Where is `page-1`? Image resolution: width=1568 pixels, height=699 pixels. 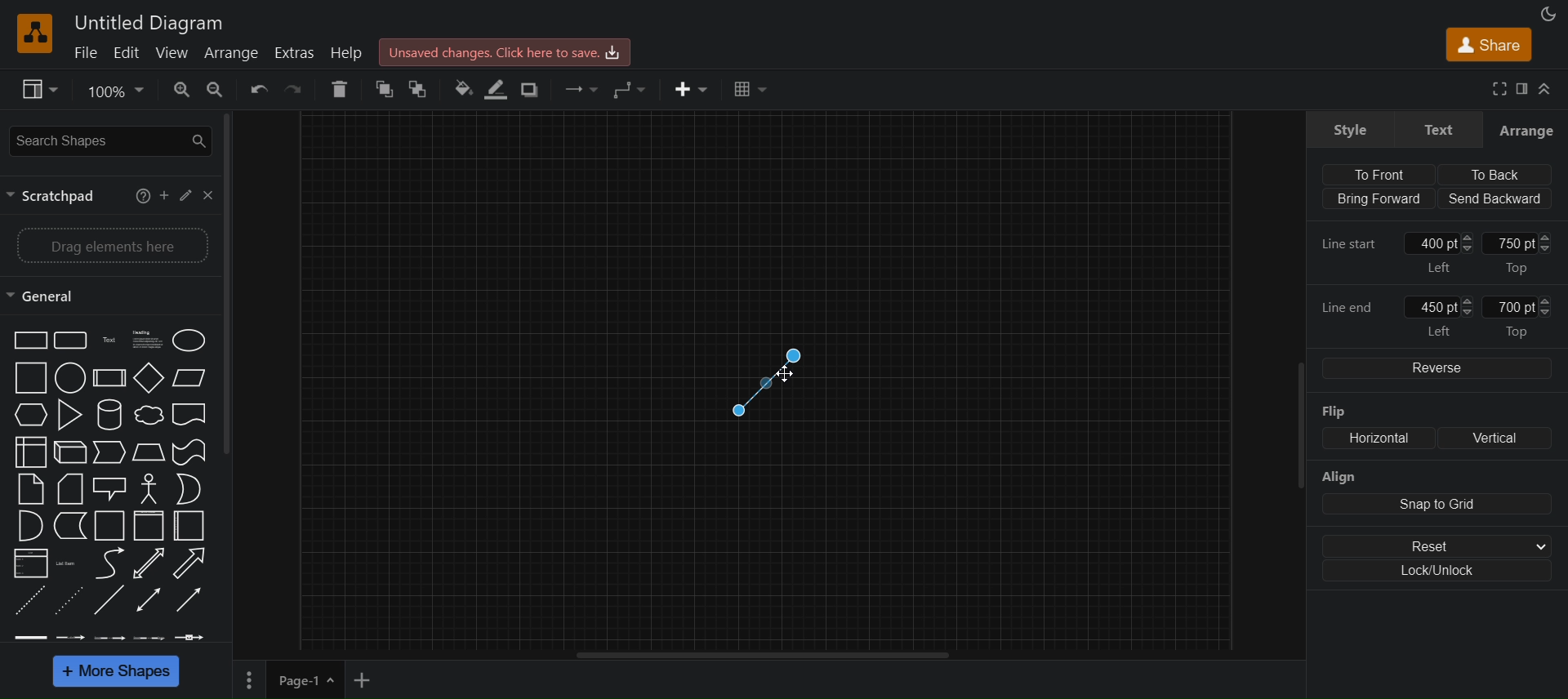
page-1 is located at coordinates (307, 679).